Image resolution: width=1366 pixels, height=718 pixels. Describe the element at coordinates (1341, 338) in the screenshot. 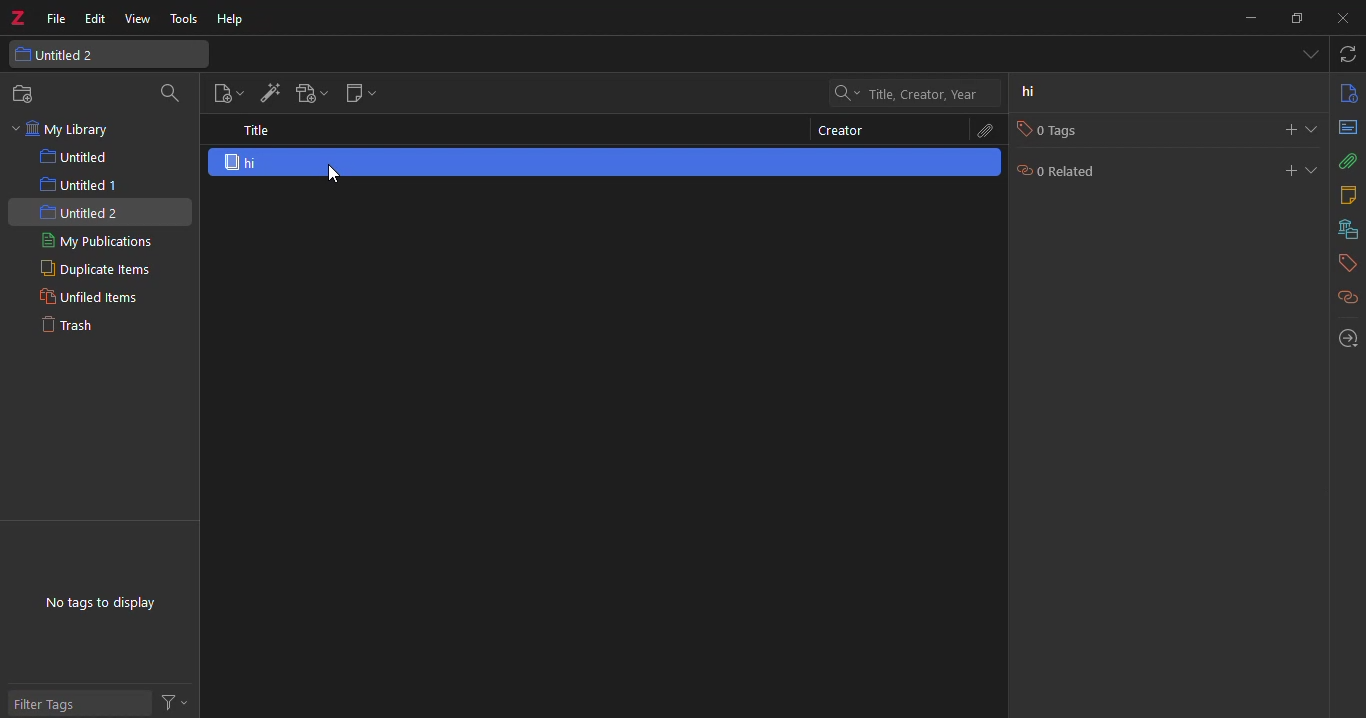

I see `locate` at that location.